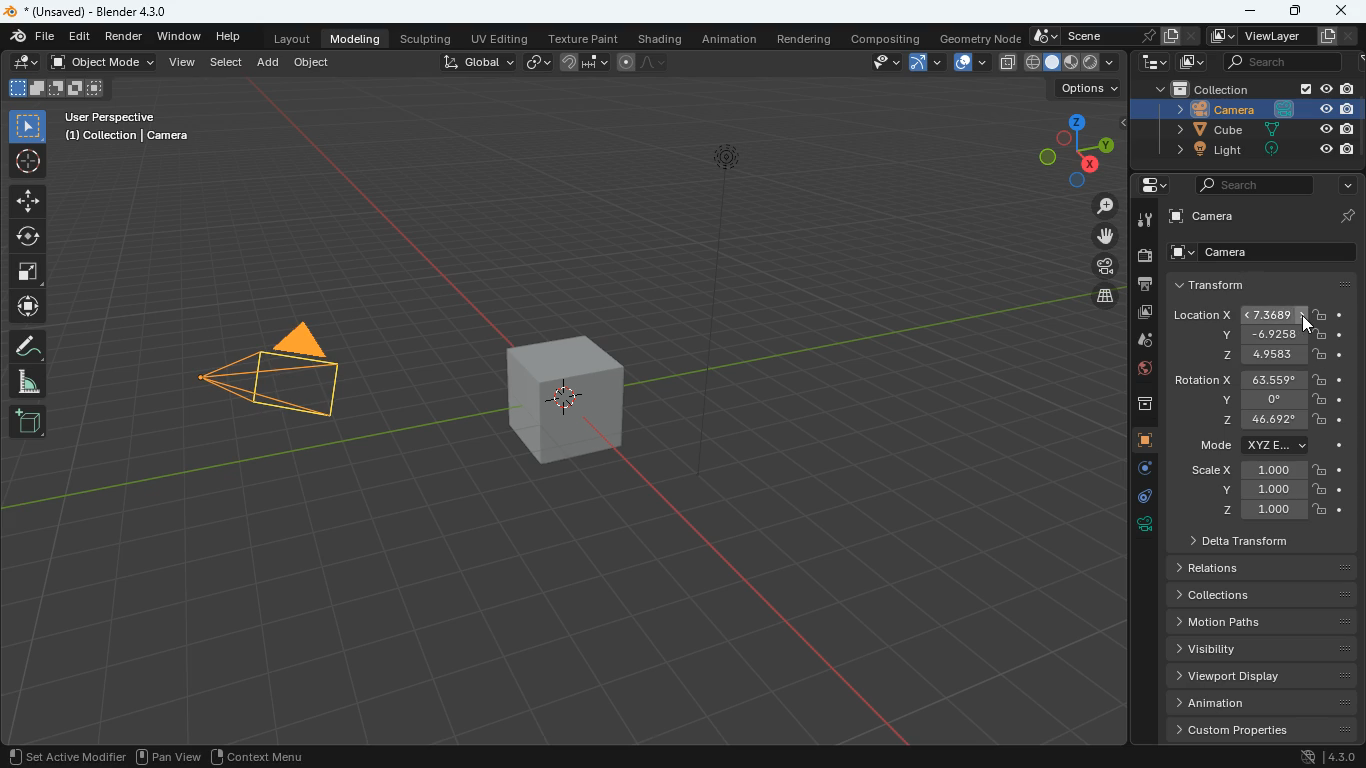  I want to click on join, so click(581, 64).